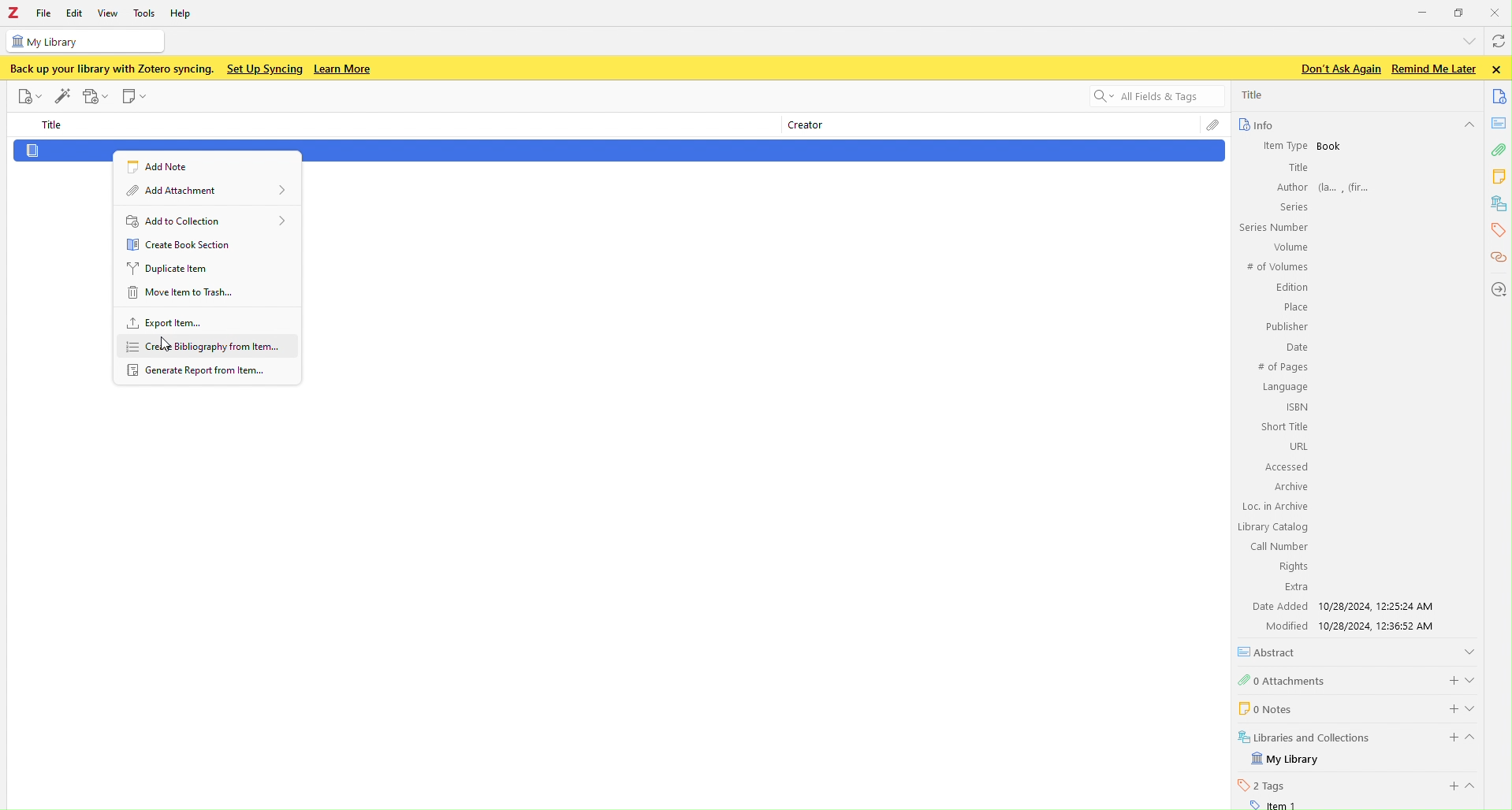 The image size is (1512, 810). Describe the element at coordinates (203, 221) in the screenshot. I see `Add to collection` at that location.